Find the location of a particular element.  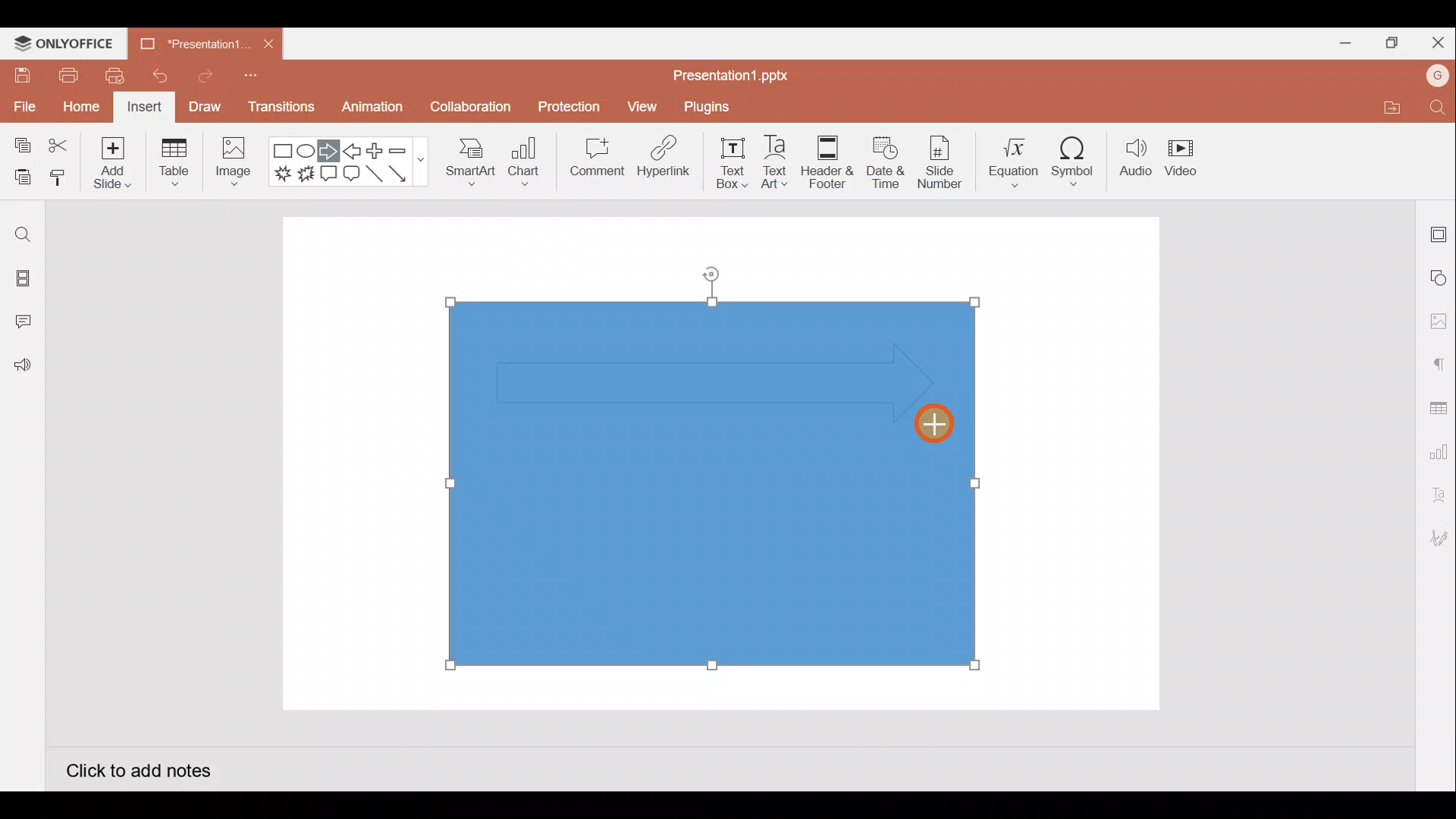

View is located at coordinates (645, 103).